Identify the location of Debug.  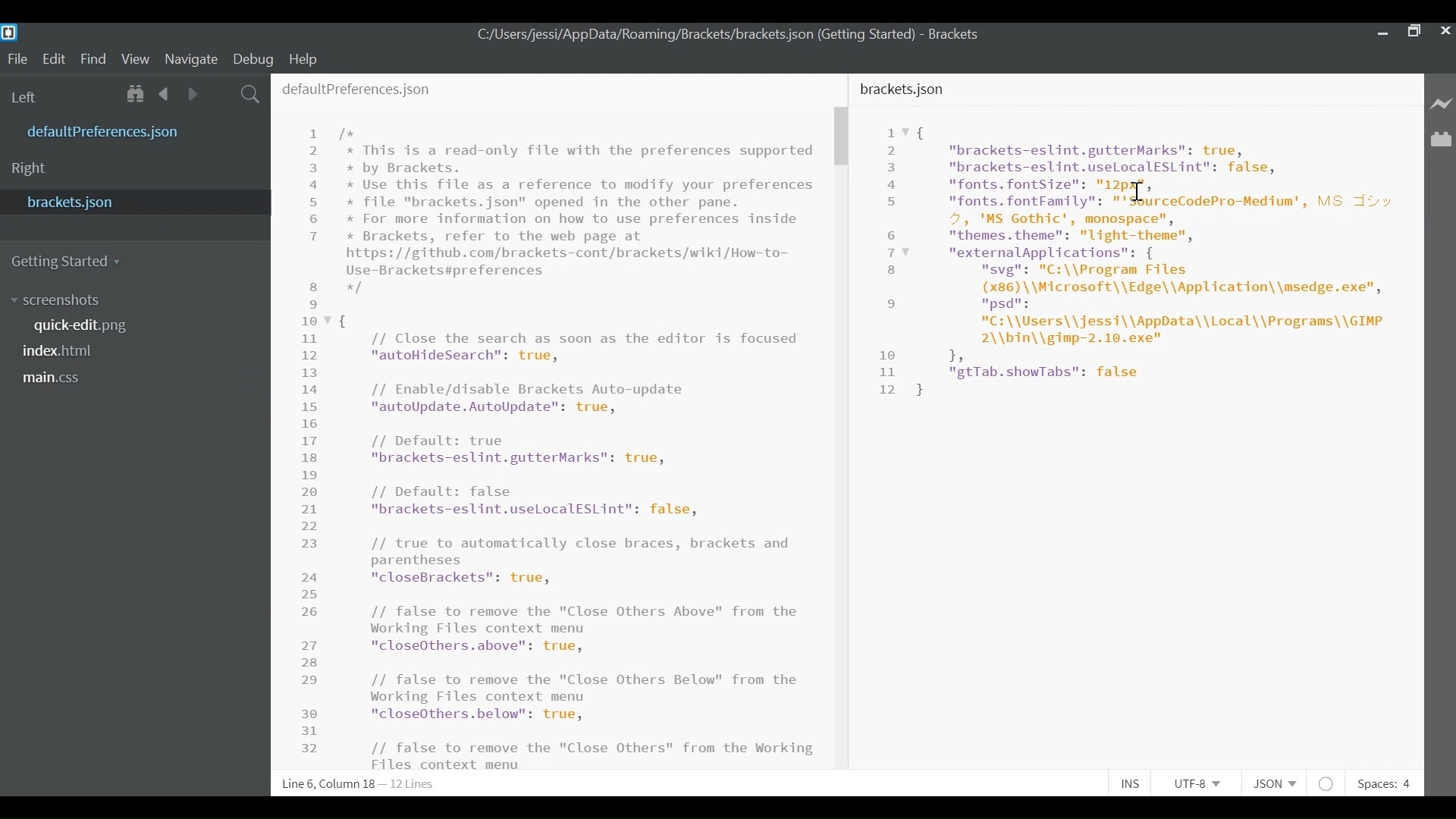
(253, 58).